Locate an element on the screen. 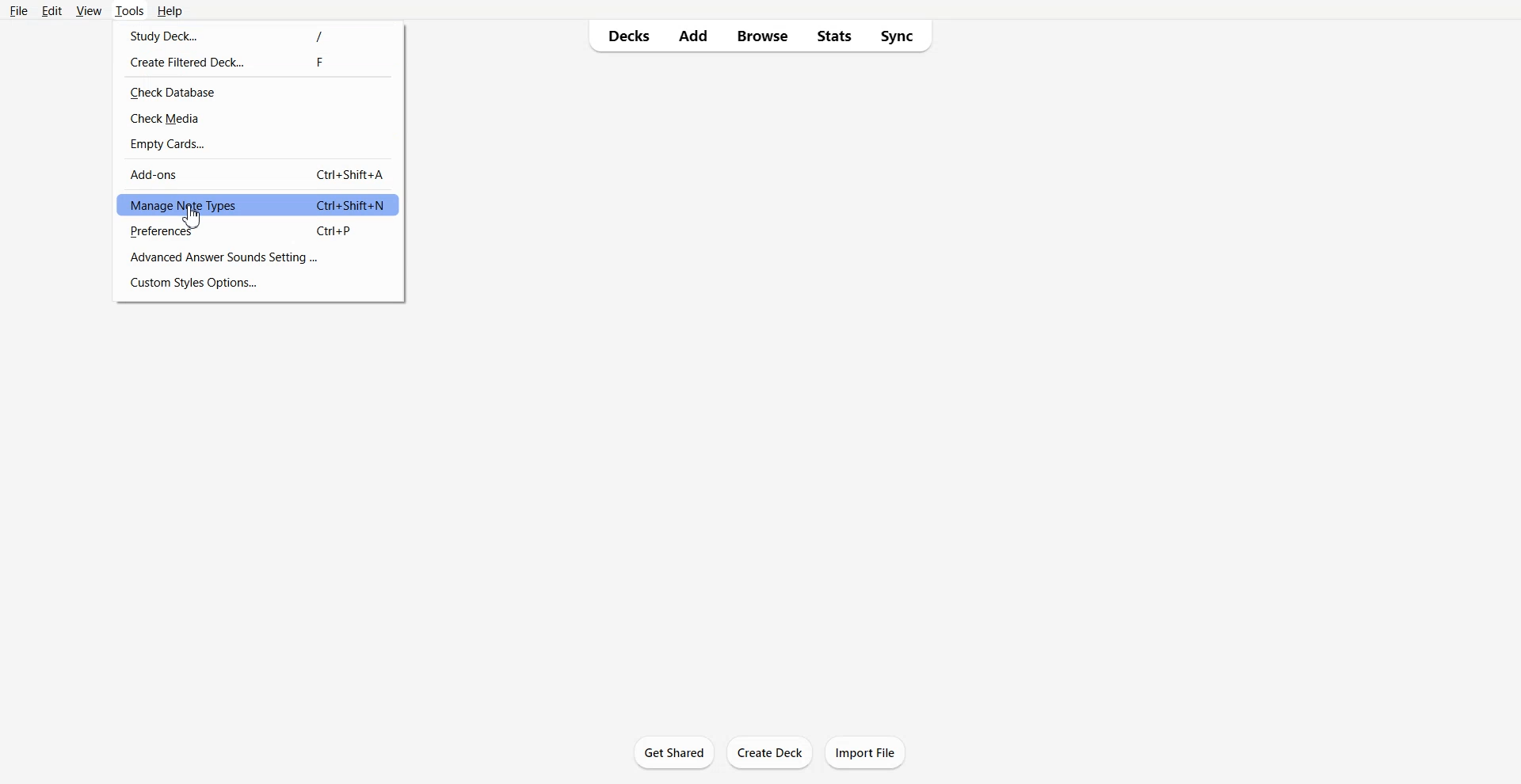 Image resolution: width=1521 pixels, height=784 pixels. Cursor is located at coordinates (191, 217).